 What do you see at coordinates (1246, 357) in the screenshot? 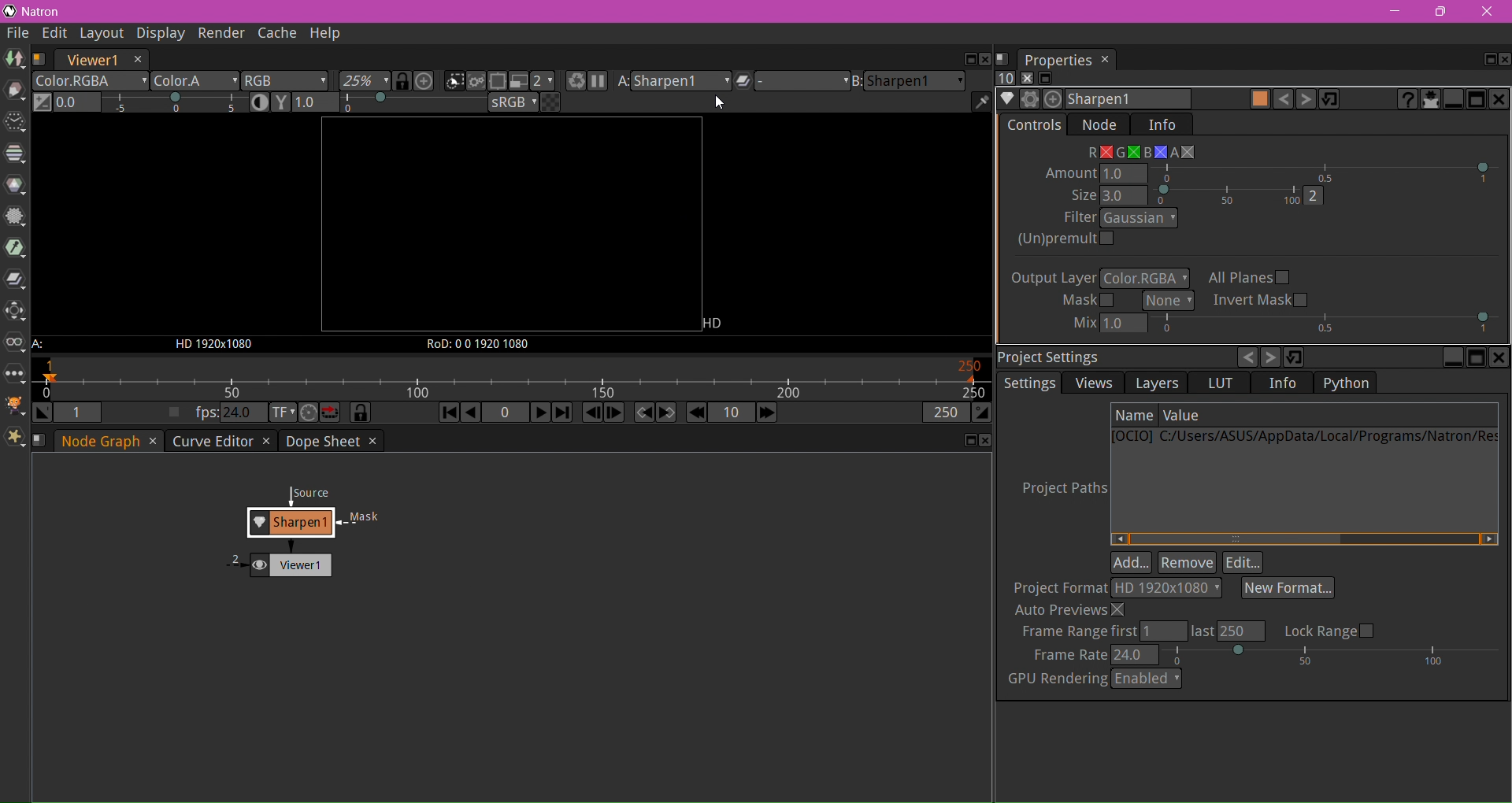
I see `previous` at bounding box center [1246, 357].